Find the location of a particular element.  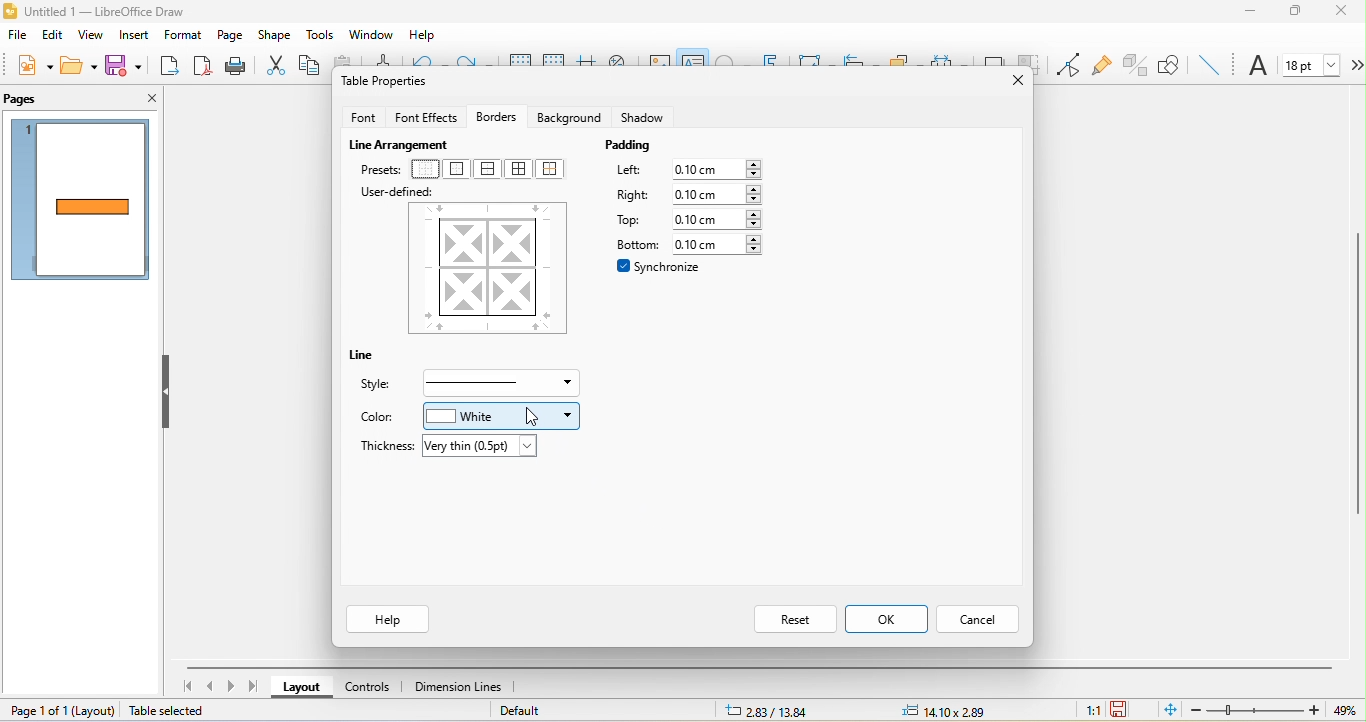

background is located at coordinates (572, 117).